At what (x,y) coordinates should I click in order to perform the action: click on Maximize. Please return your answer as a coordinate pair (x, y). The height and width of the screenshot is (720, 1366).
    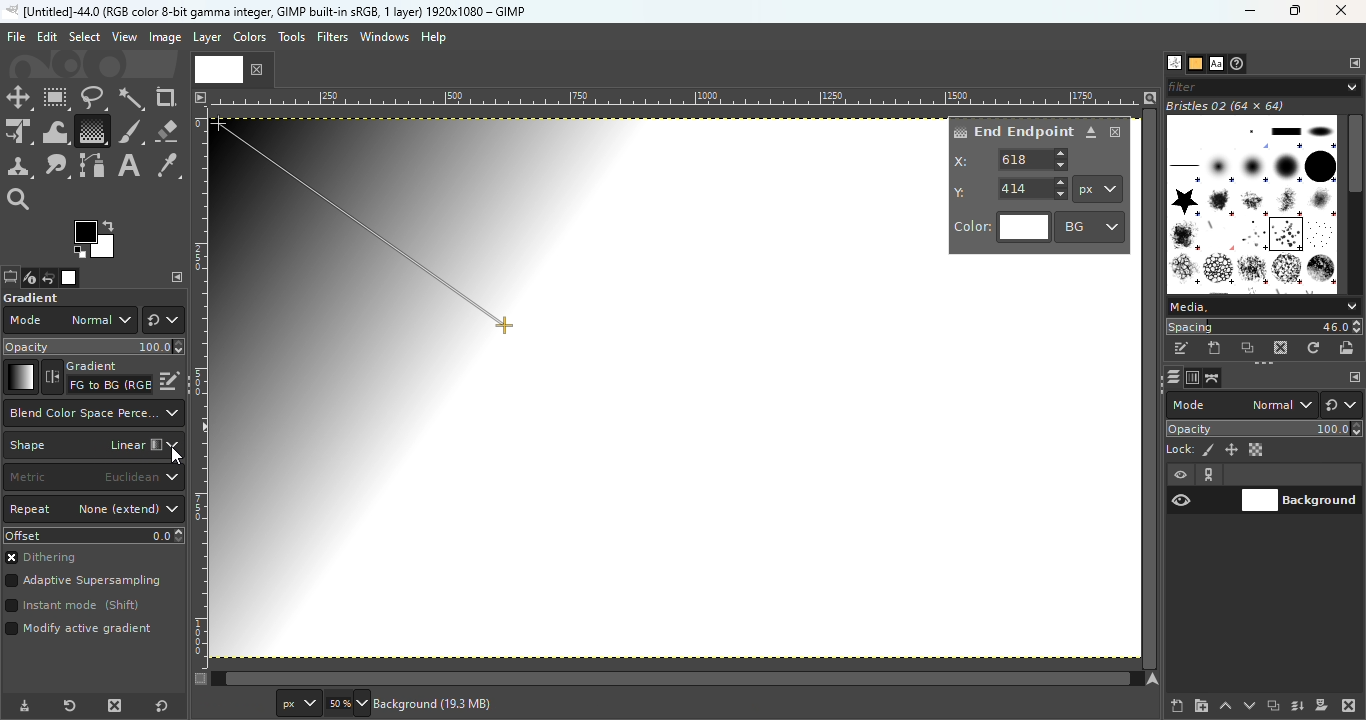
    Looking at the image, I should click on (1300, 11).